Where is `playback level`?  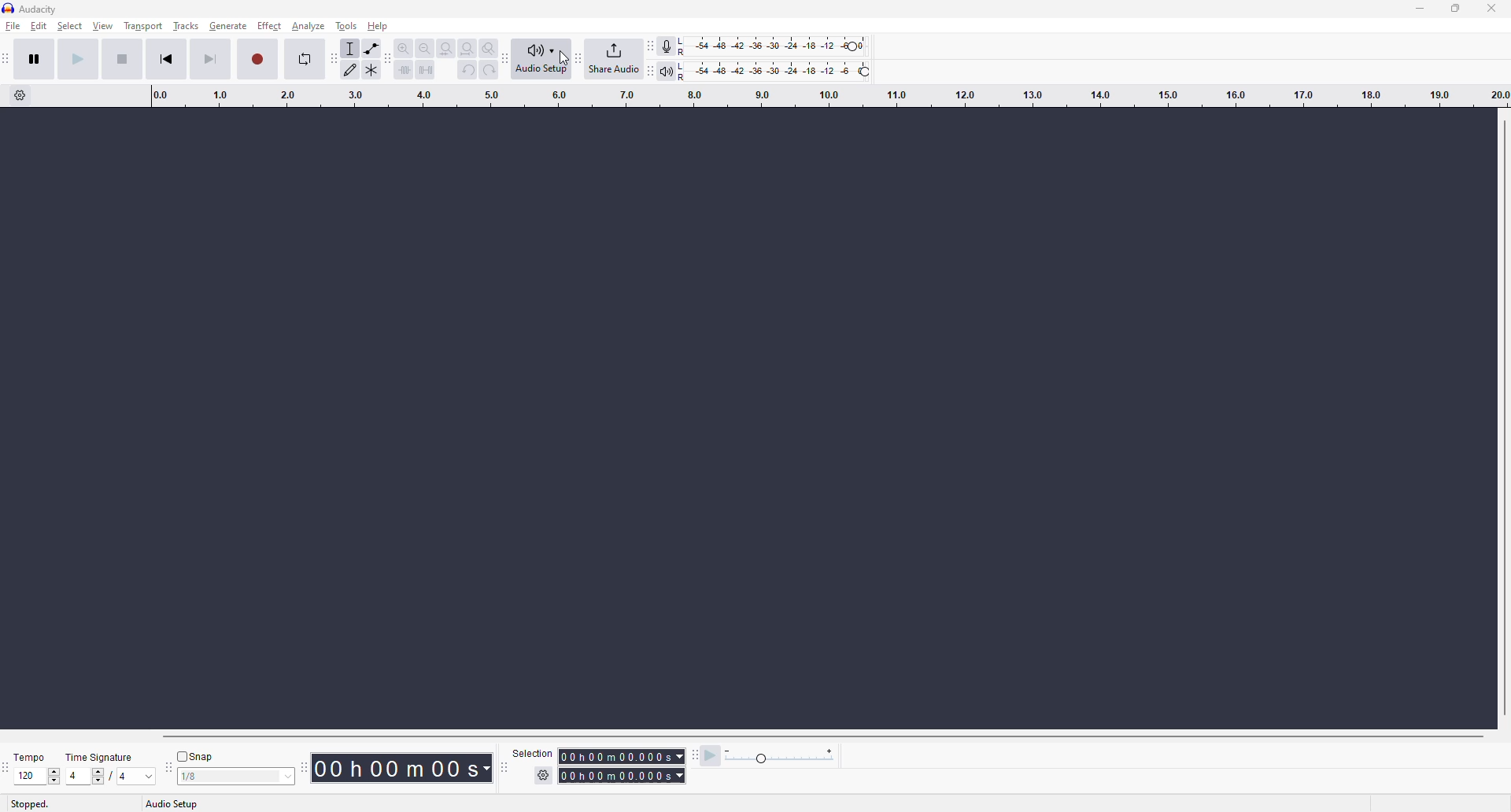
playback level is located at coordinates (776, 74).